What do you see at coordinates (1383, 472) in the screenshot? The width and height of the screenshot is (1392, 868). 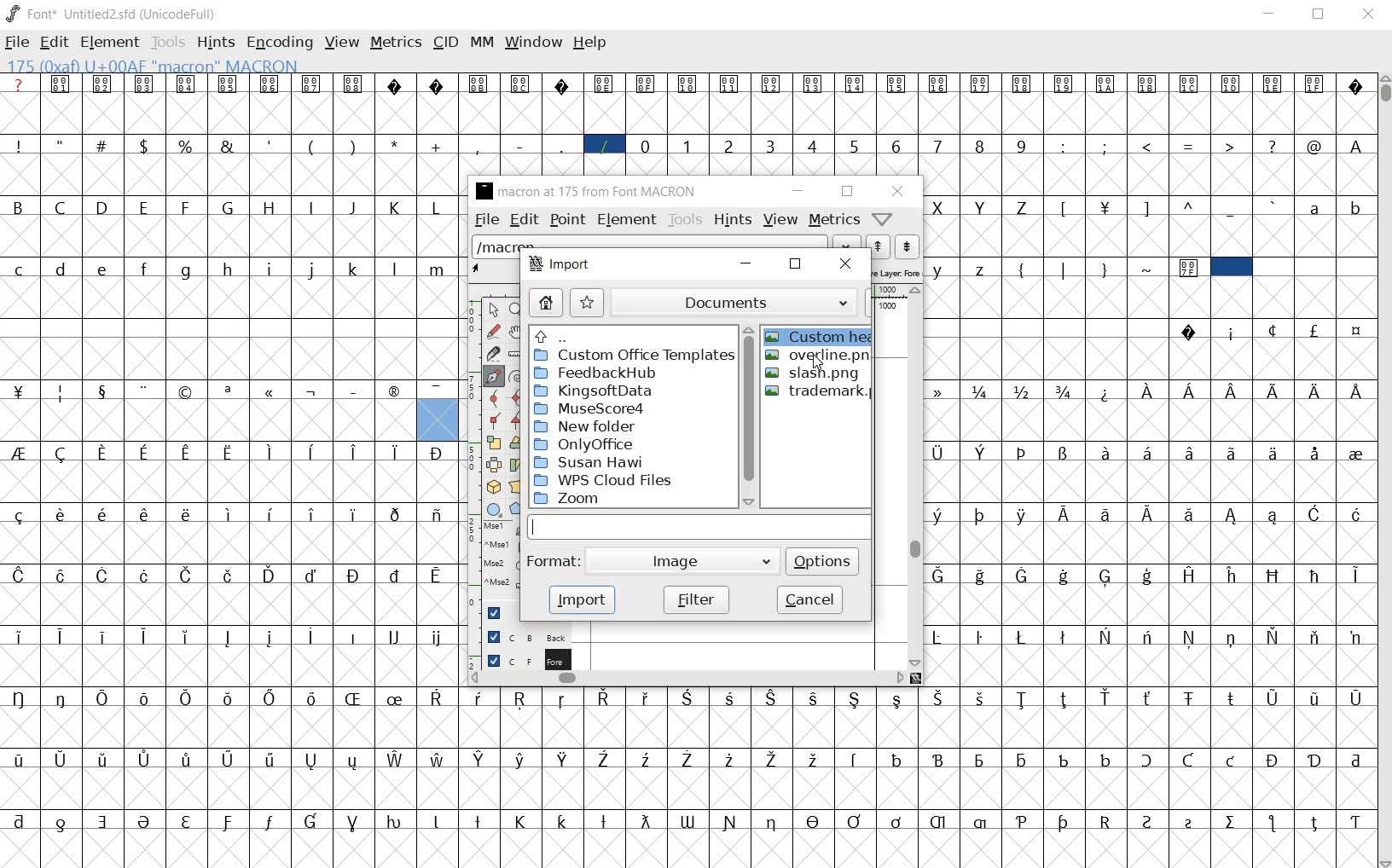 I see `SCROLLBAR` at bounding box center [1383, 472].